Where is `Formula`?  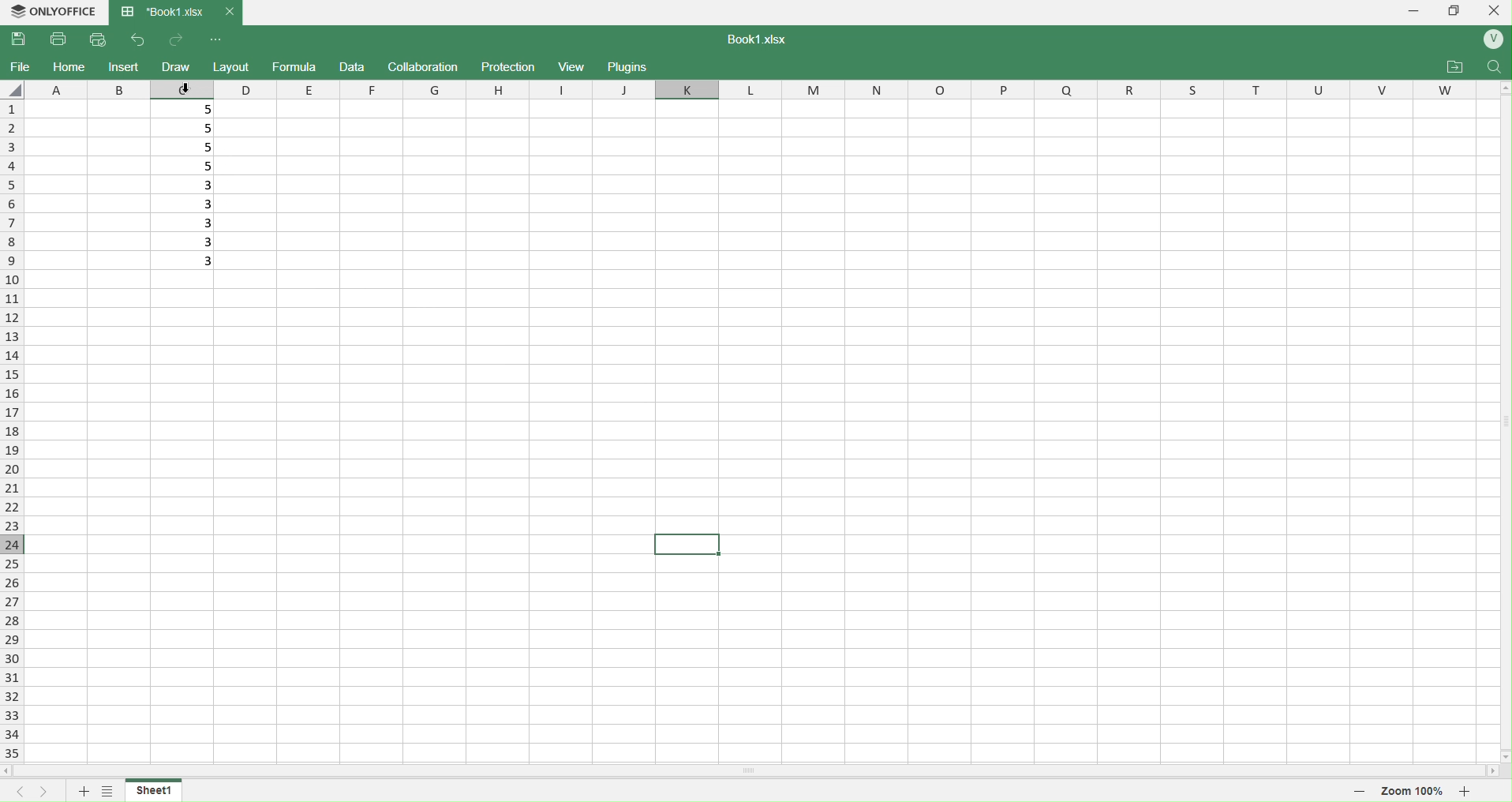
Formula is located at coordinates (294, 66).